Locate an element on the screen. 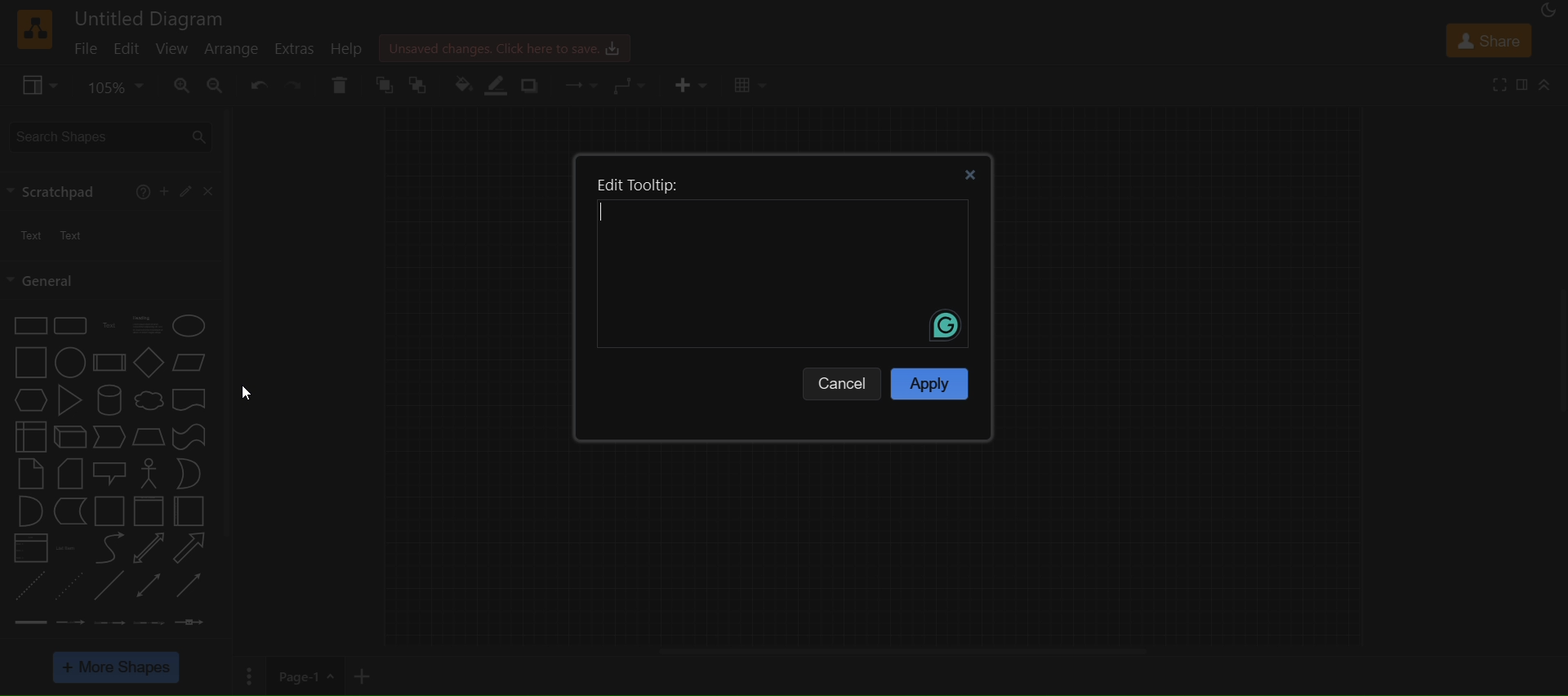 The image size is (1568, 696). curve is located at coordinates (107, 548).